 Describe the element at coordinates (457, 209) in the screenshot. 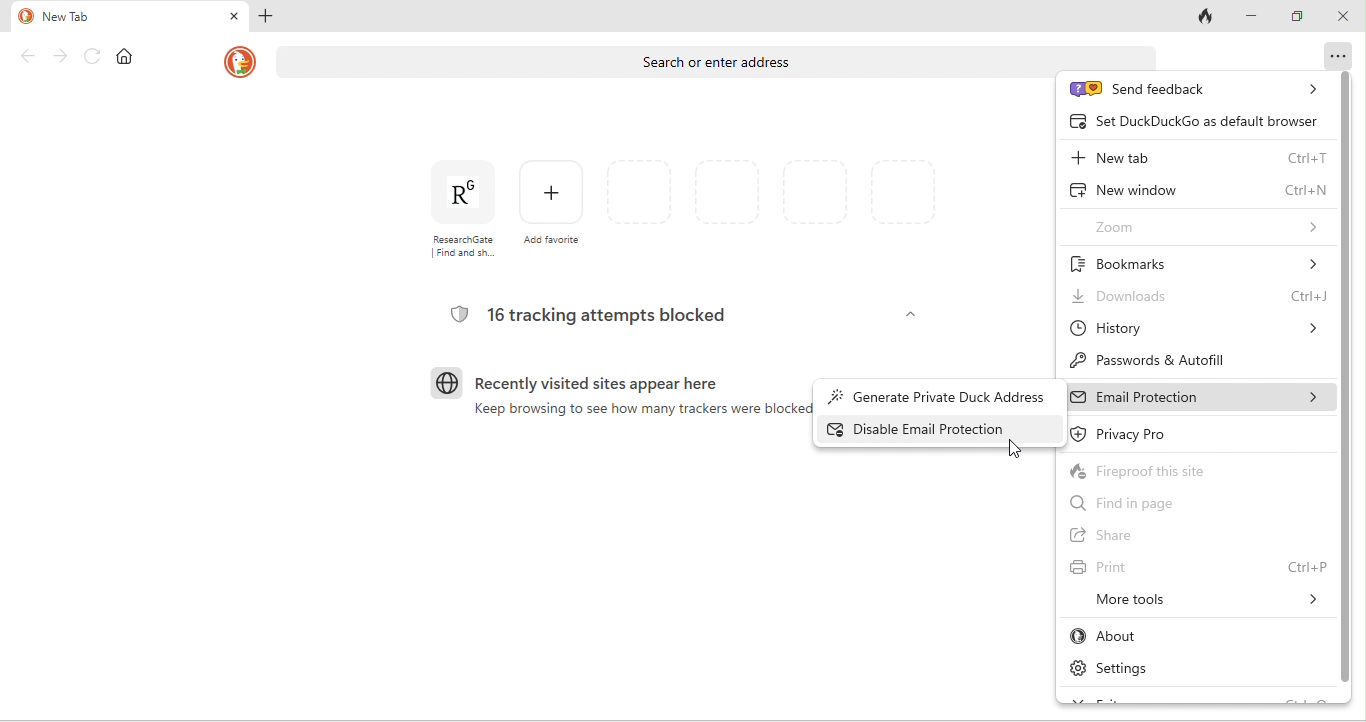

I see `research gate` at that location.